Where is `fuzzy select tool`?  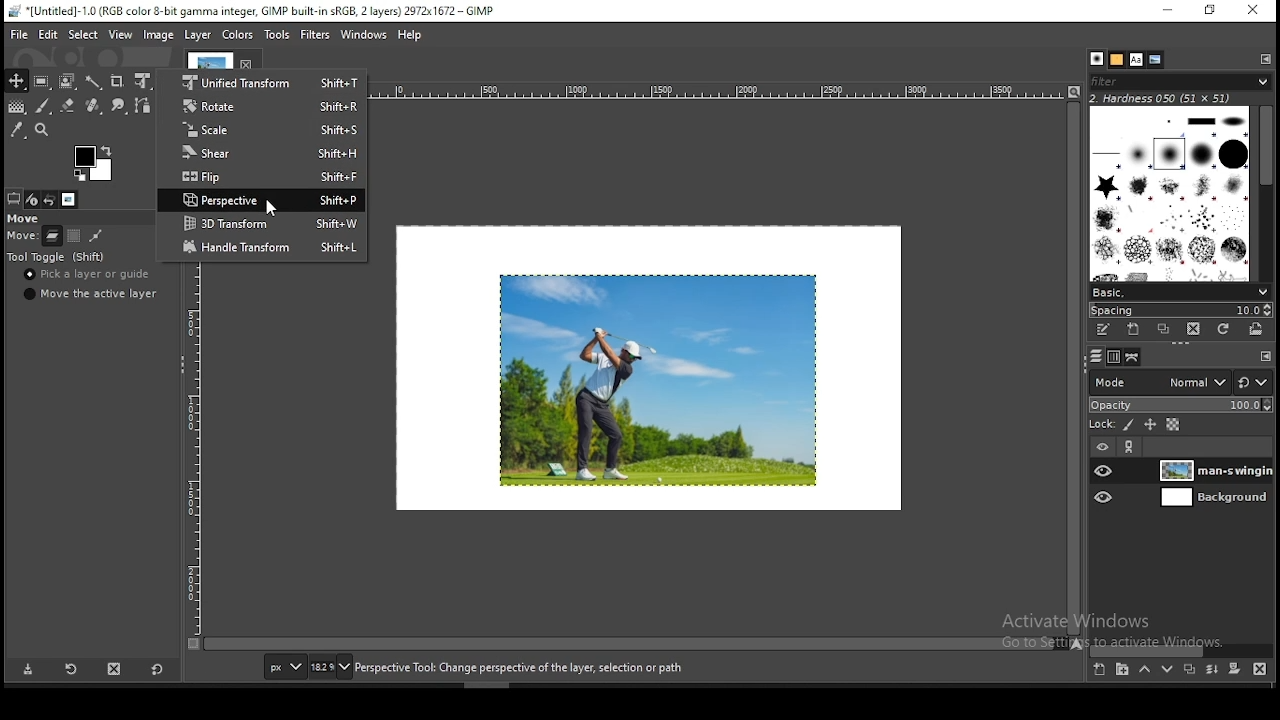 fuzzy select tool is located at coordinates (95, 83).